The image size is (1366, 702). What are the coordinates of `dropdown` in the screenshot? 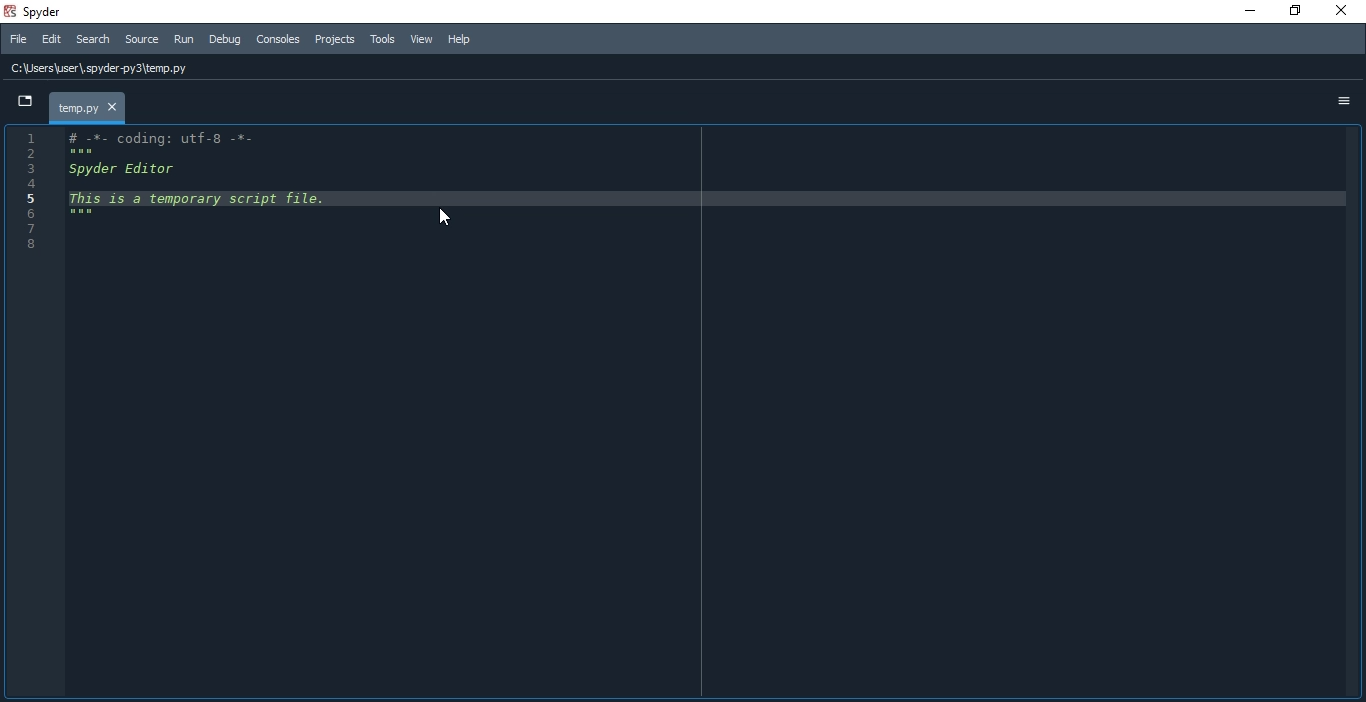 It's located at (24, 102).